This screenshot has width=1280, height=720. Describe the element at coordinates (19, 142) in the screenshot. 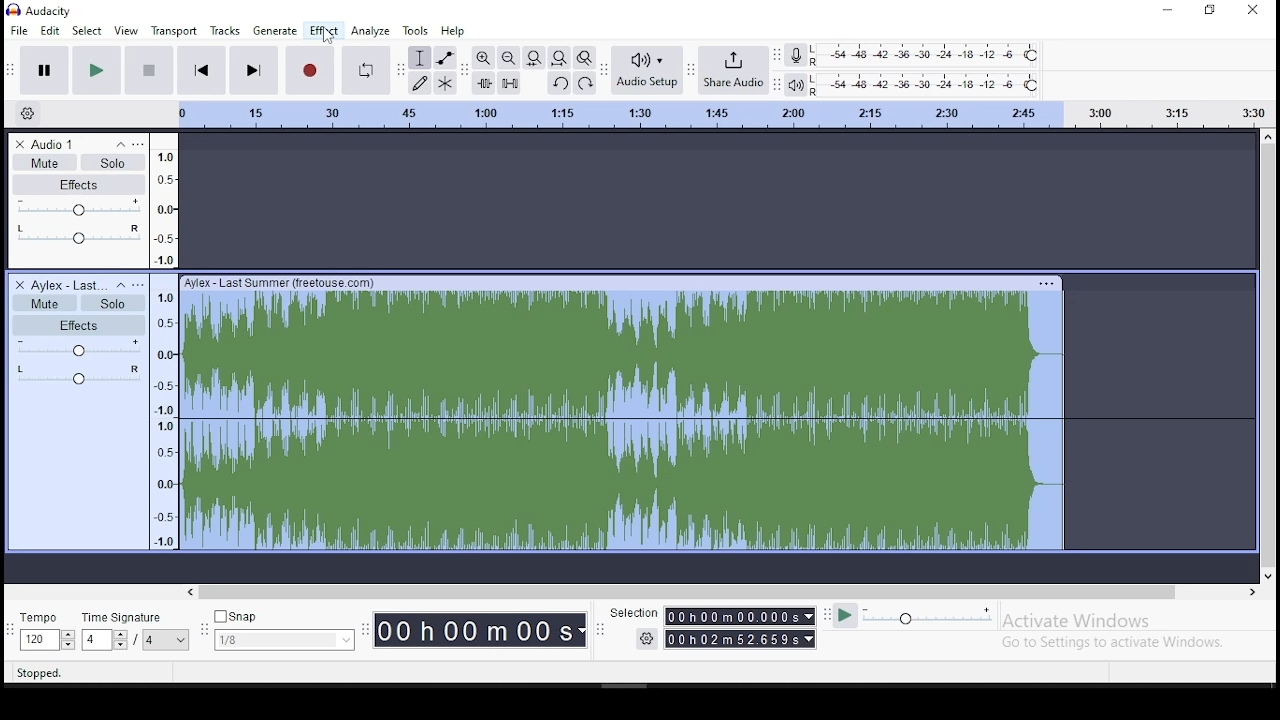

I see `delete track` at that location.